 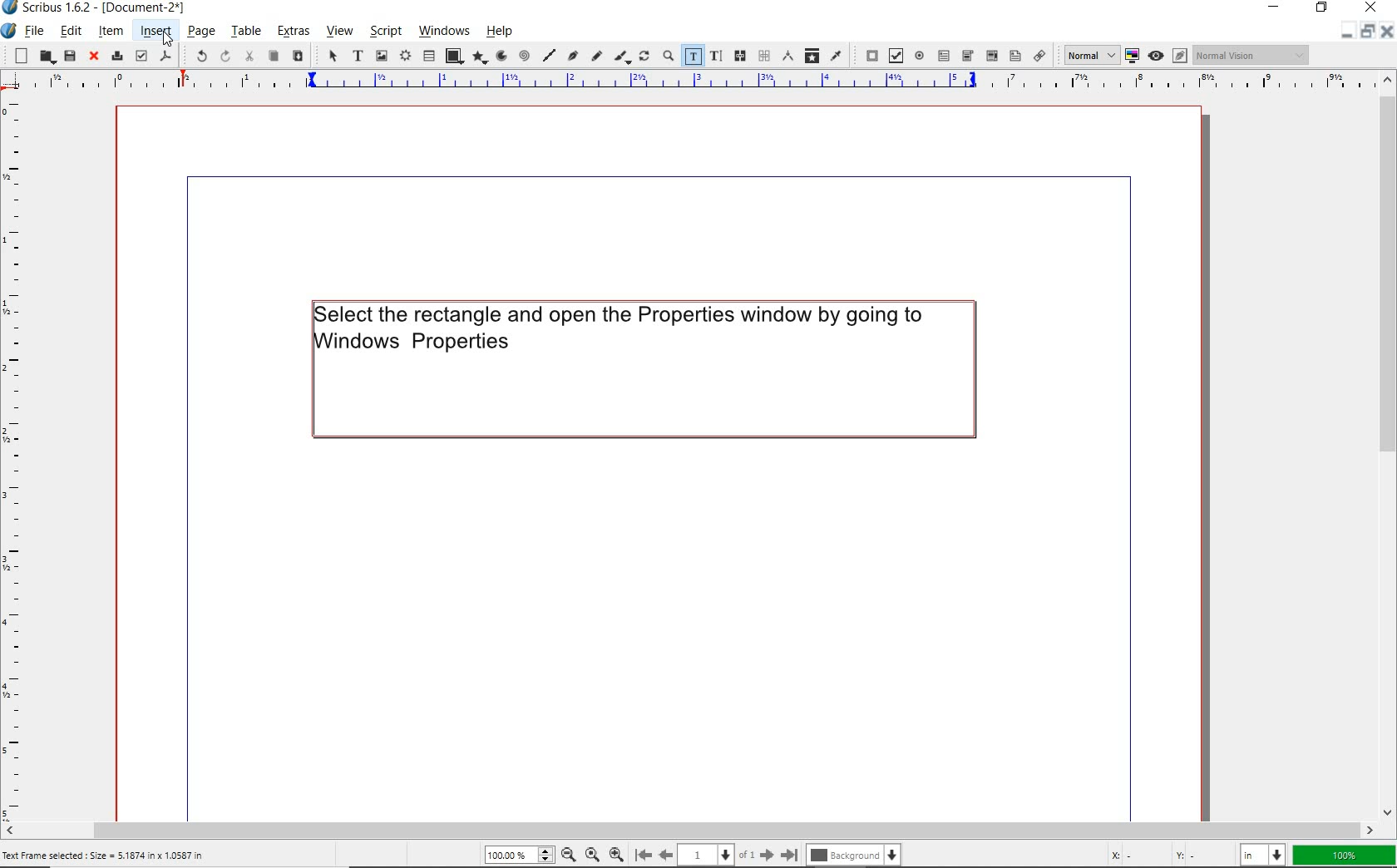 What do you see at coordinates (622, 57) in the screenshot?
I see `calligraphic line` at bounding box center [622, 57].